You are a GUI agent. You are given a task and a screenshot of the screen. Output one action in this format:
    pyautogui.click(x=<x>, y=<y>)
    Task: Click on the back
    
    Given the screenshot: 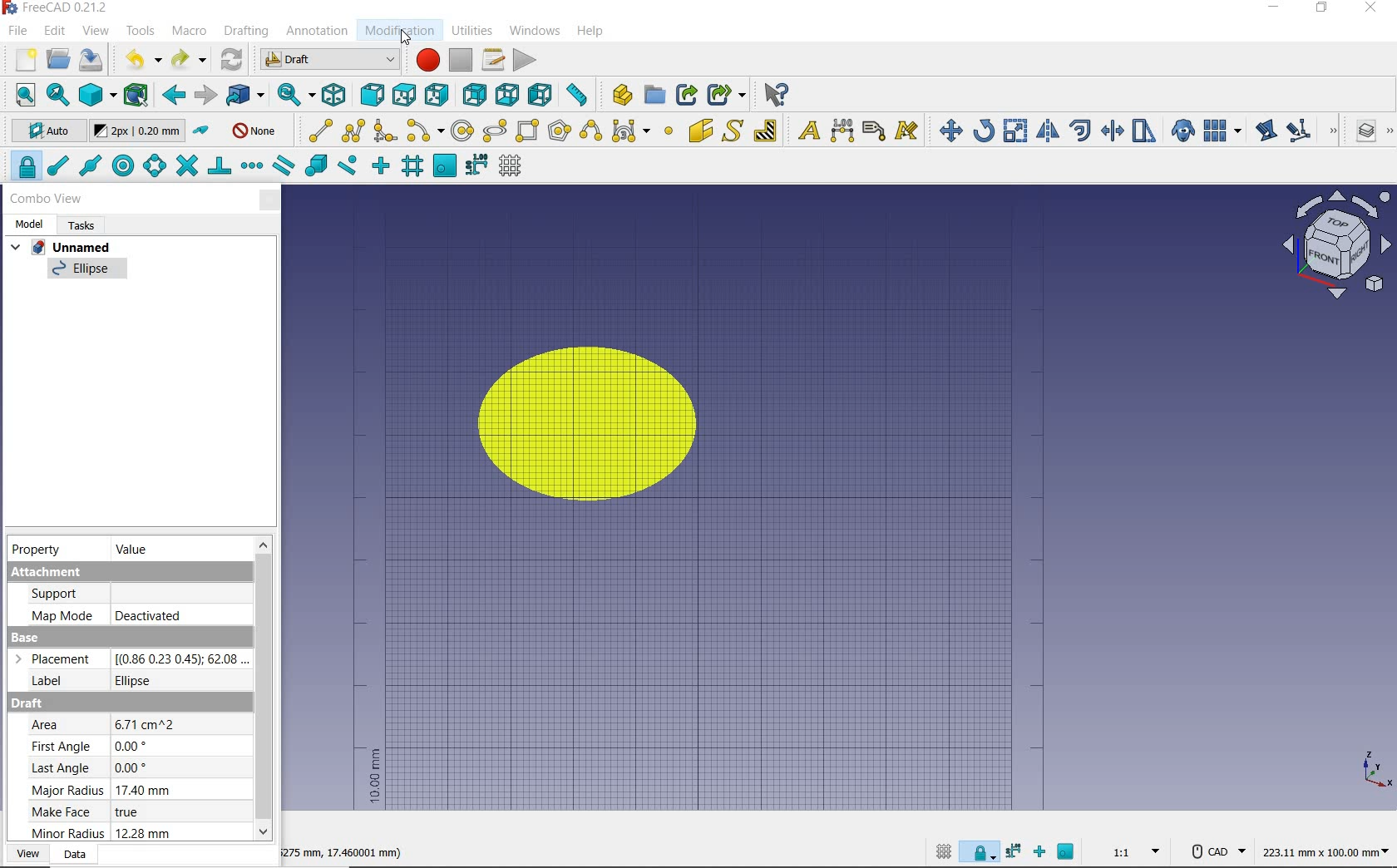 What is the action you would take?
    pyautogui.click(x=171, y=96)
    